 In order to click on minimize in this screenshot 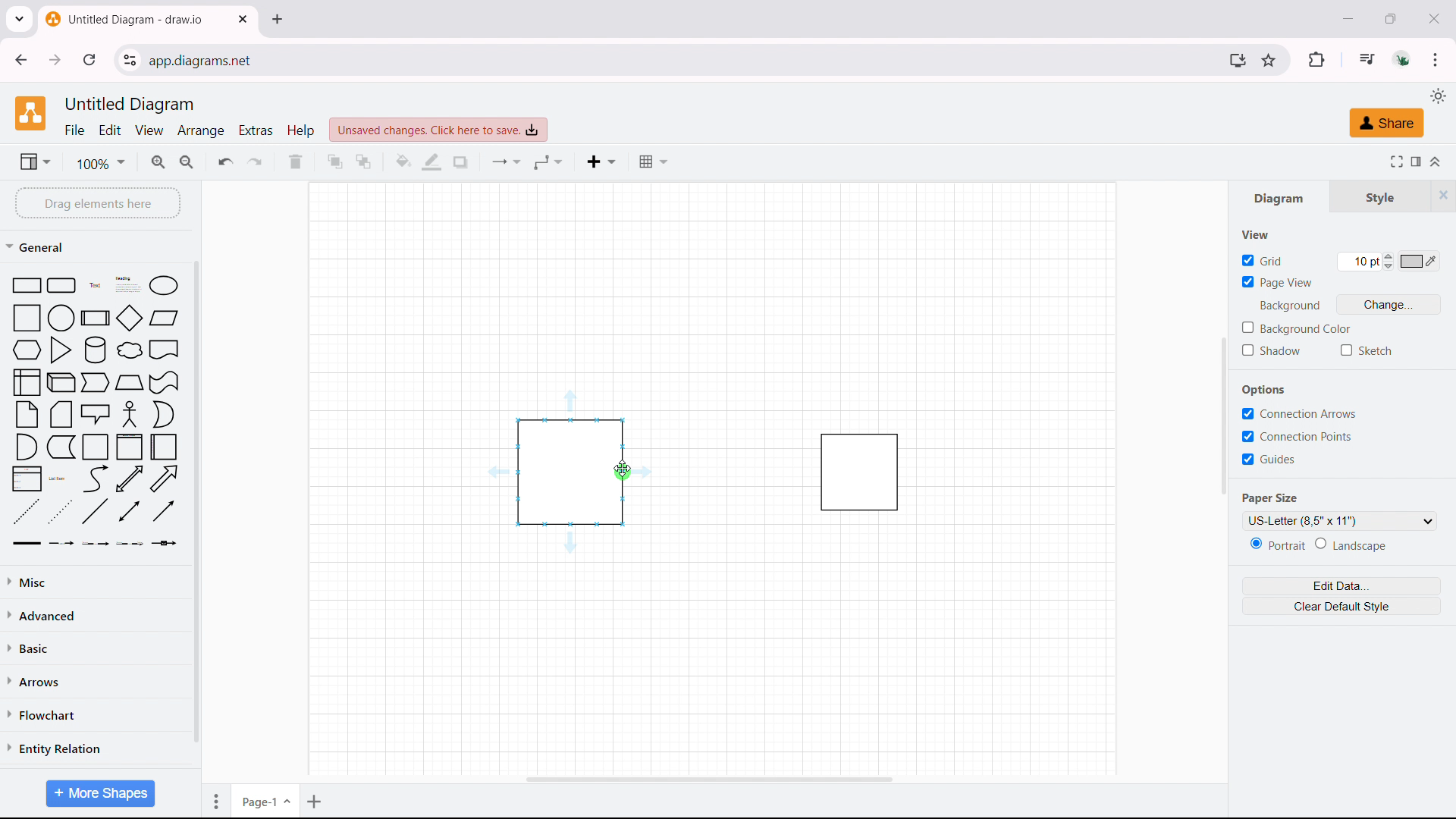, I will do `click(1348, 18)`.